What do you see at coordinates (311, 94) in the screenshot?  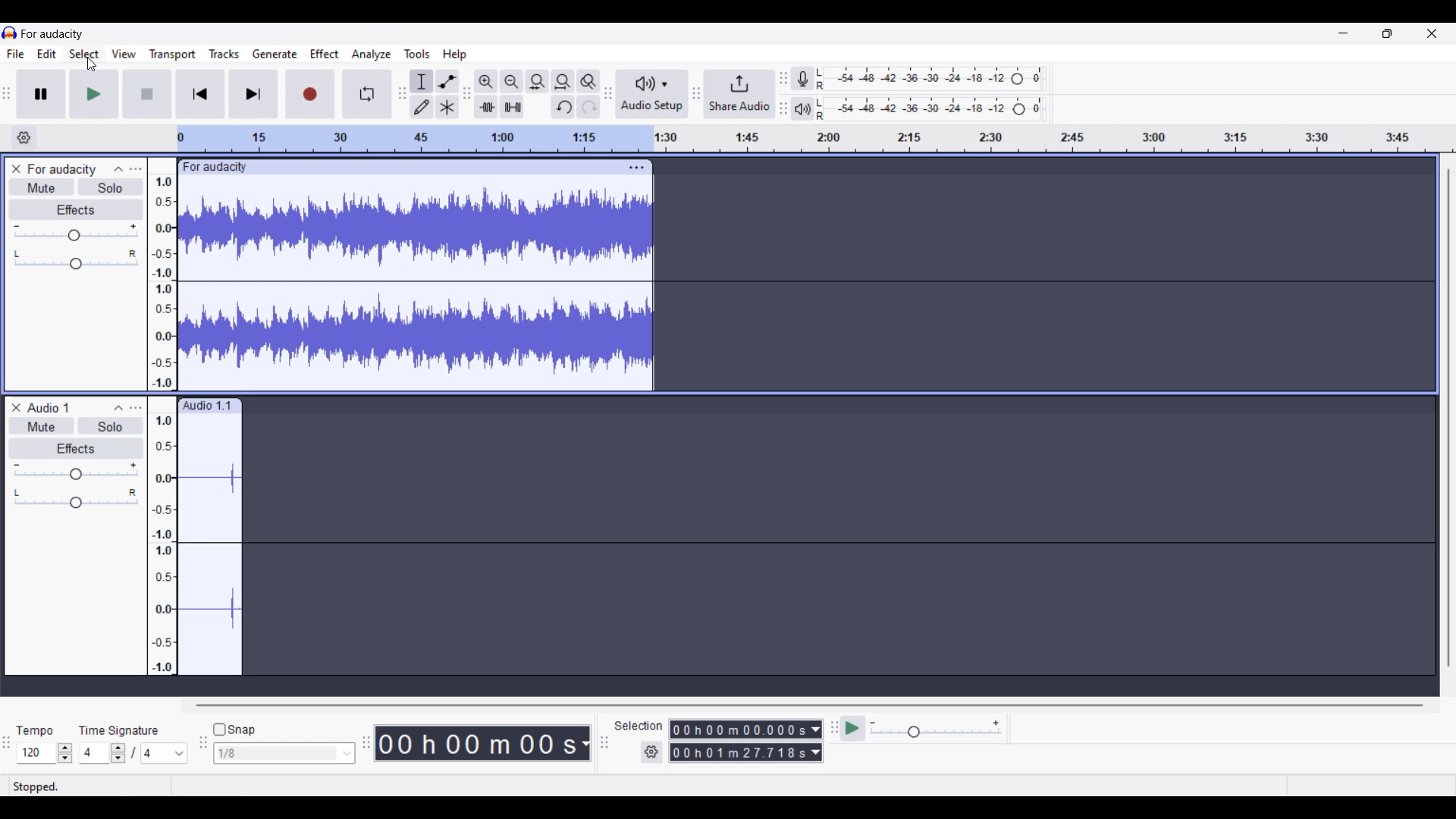 I see `Record/Record new track` at bounding box center [311, 94].